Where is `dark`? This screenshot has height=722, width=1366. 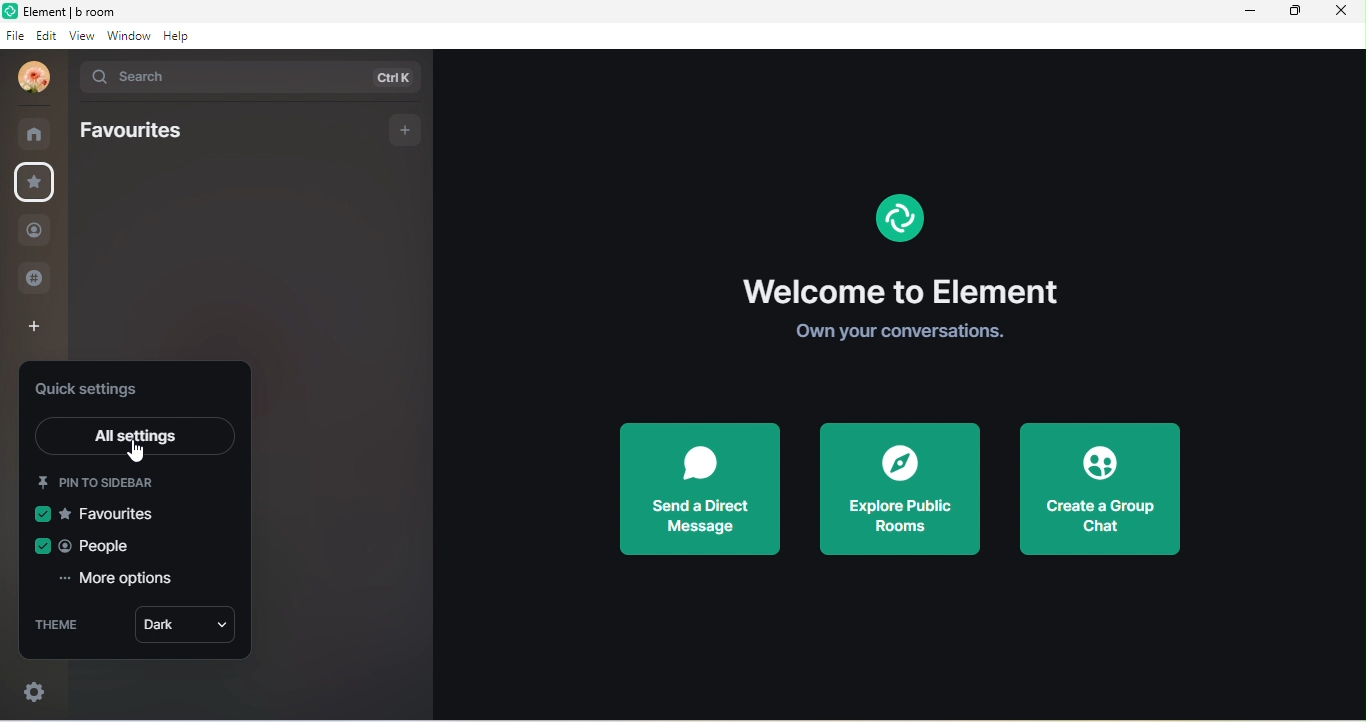 dark is located at coordinates (182, 627).